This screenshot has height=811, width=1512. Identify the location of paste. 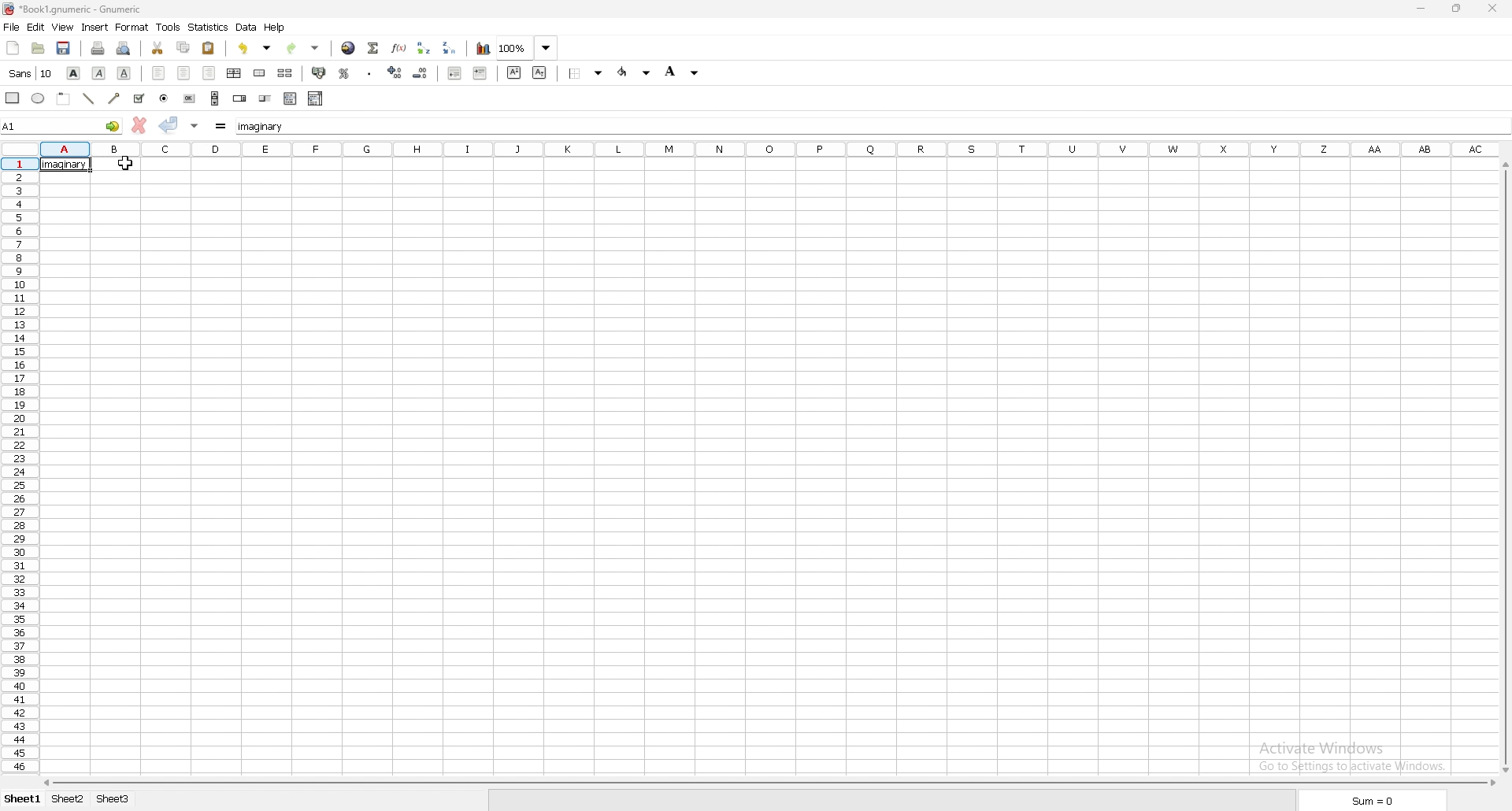
(209, 48).